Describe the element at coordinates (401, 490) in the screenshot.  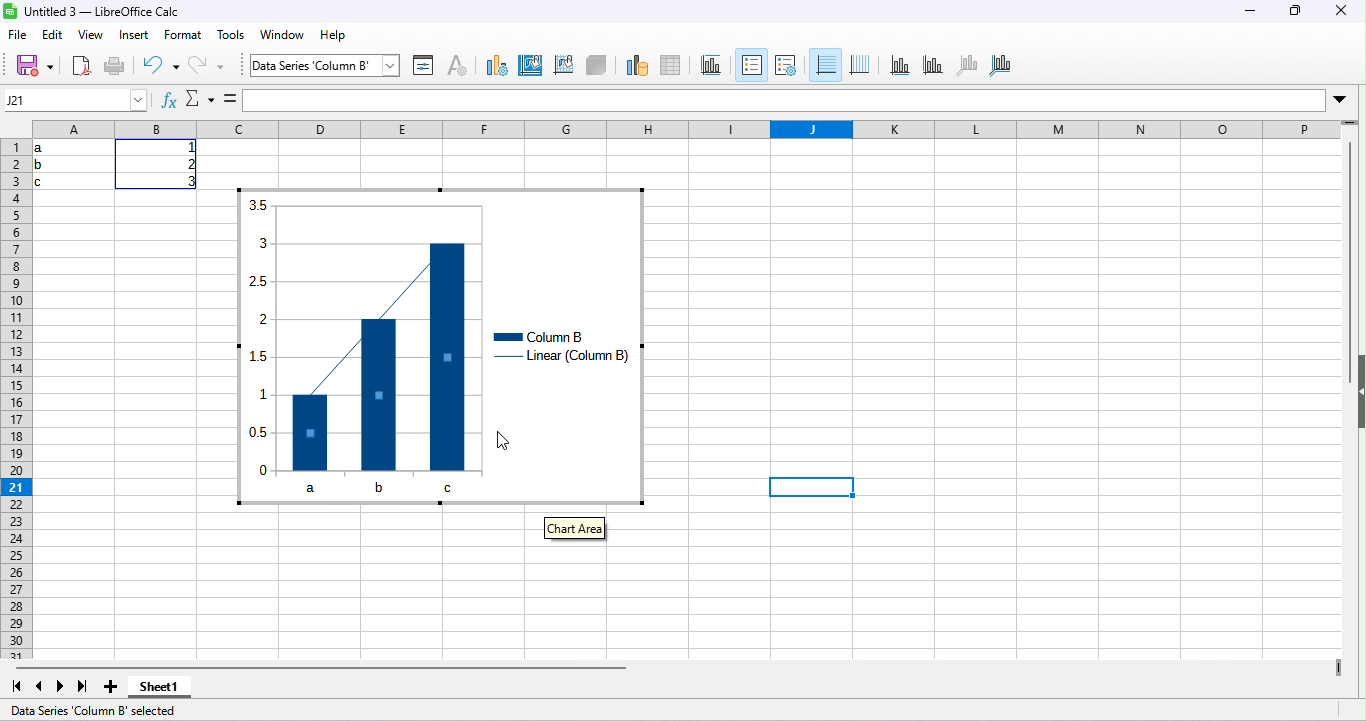
I see `b` at that location.